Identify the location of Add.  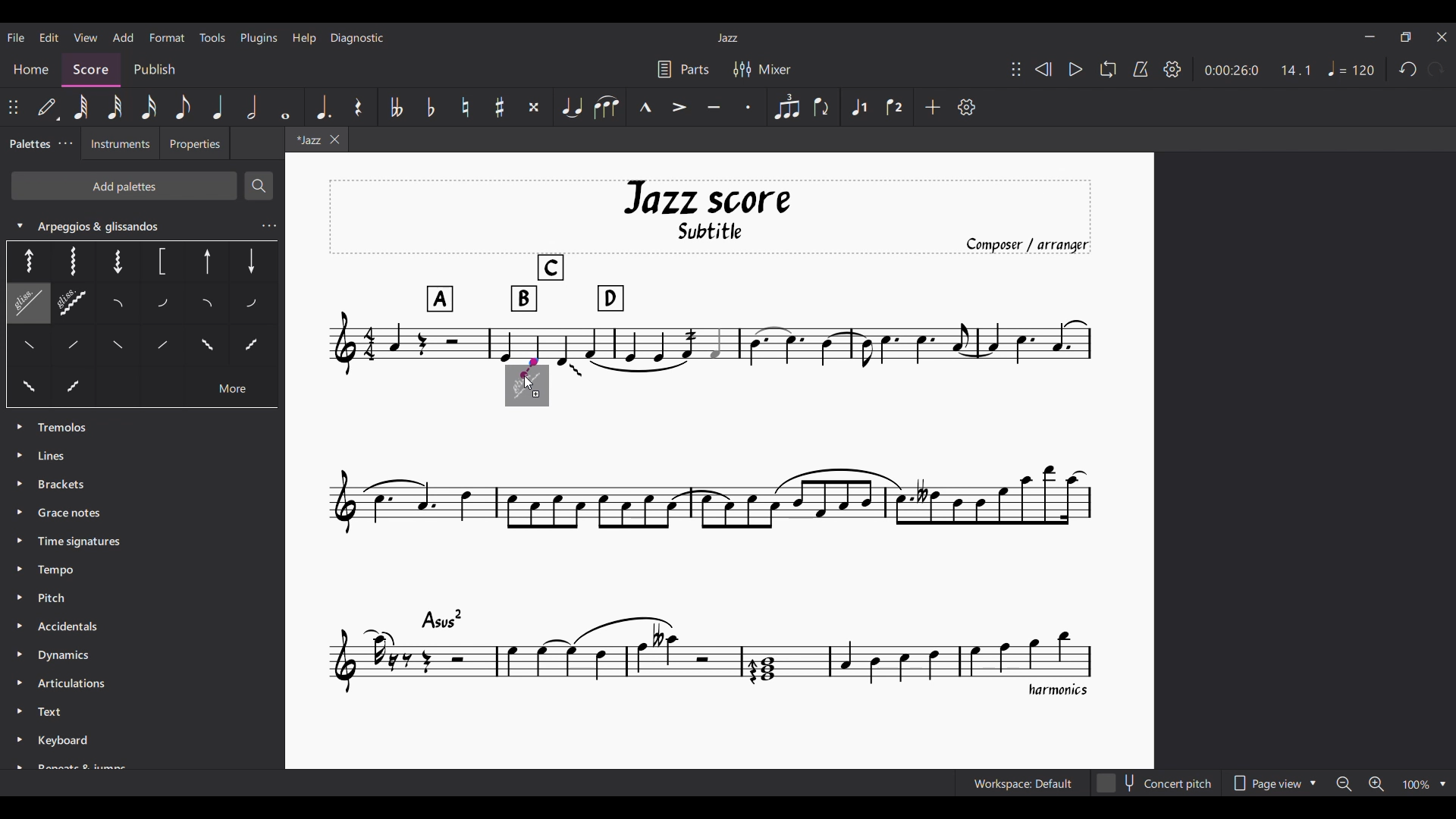
(933, 107).